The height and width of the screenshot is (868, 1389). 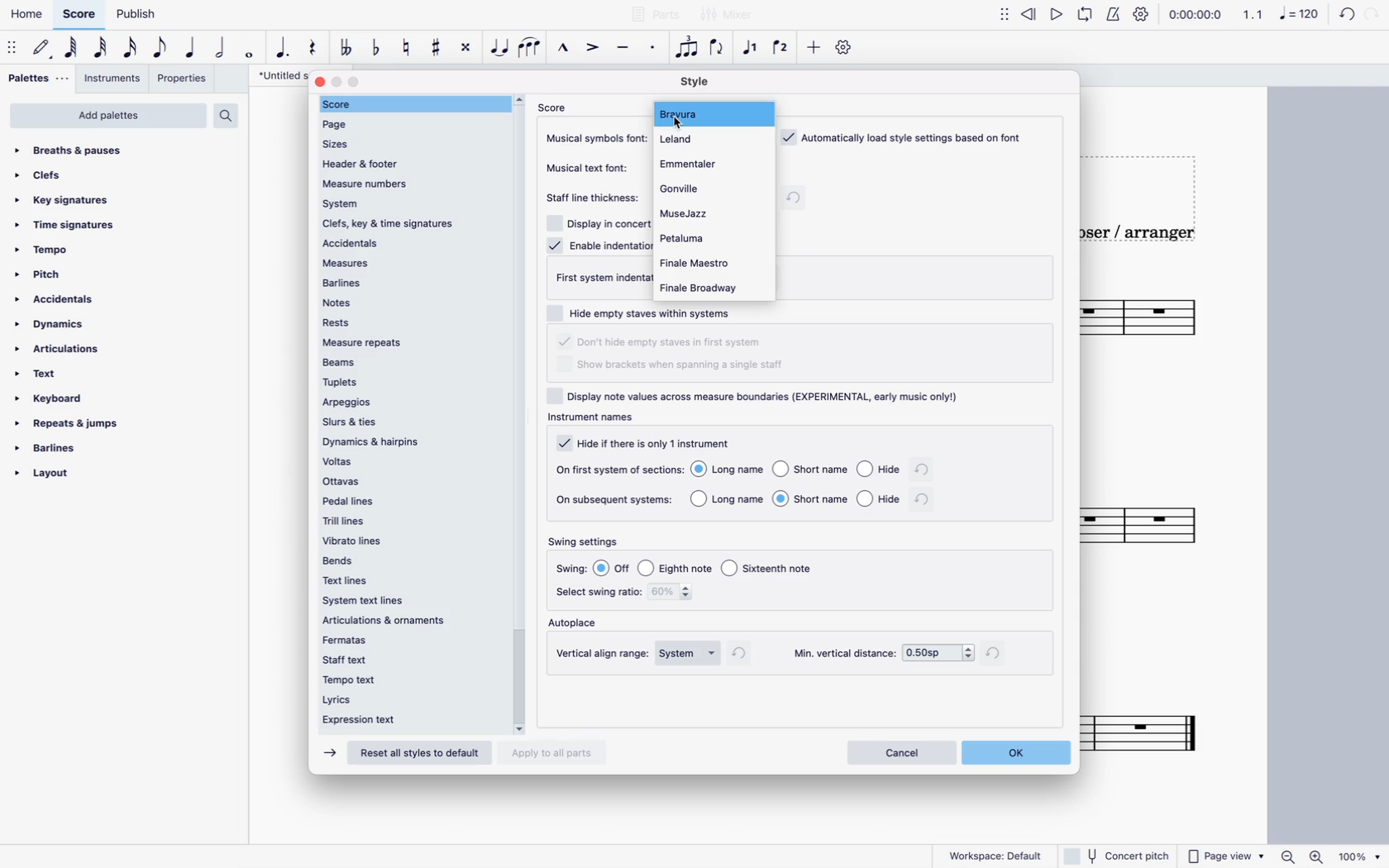 What do you see at coordinates (405, 122) in the screenshot?
I see `page` at bounding box center [405, 122].